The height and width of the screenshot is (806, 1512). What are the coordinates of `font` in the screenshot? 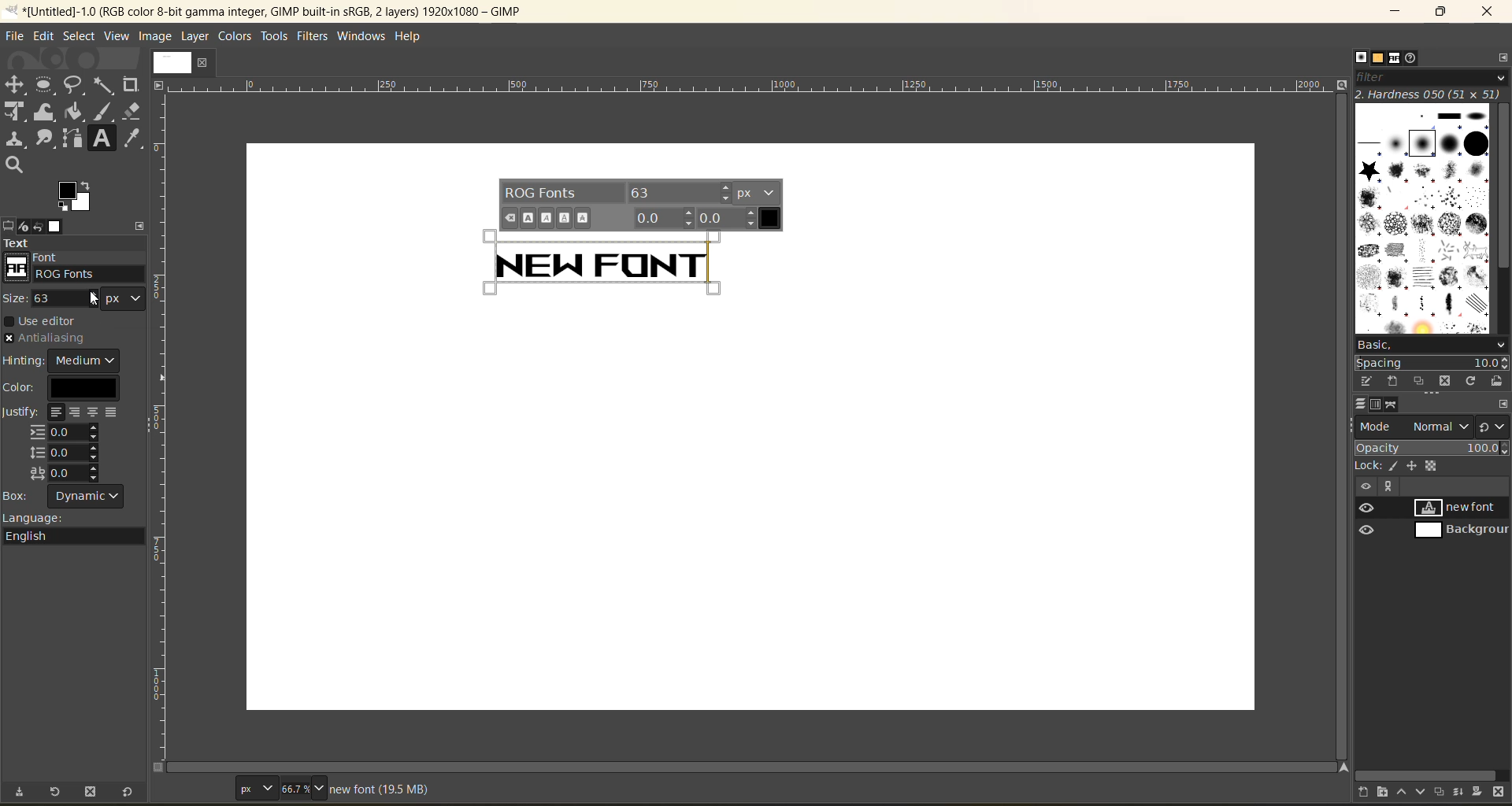 It's located at (76, 265).